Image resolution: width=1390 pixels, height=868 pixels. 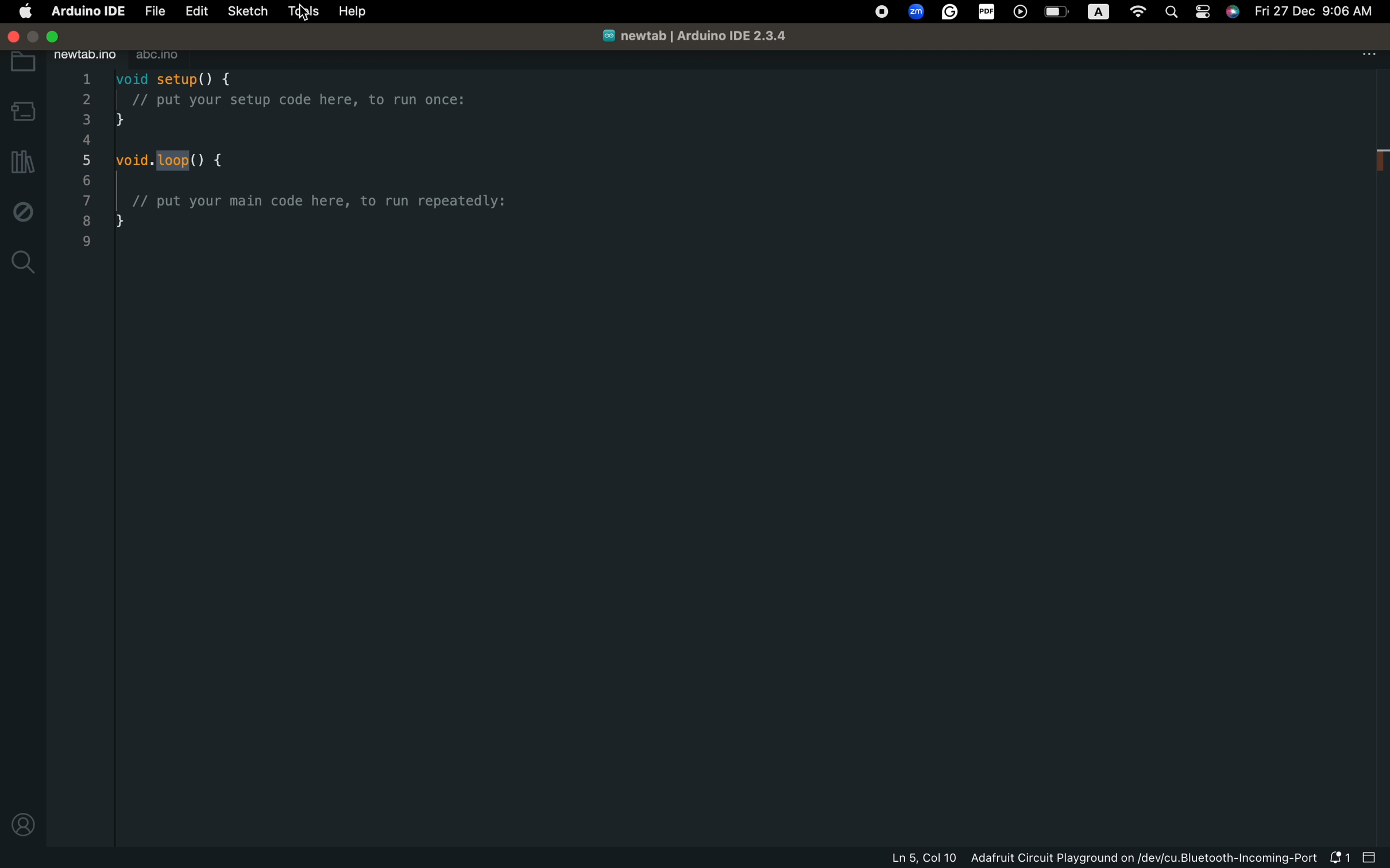 What do you see at coordinates (1146, 858) in the screenshot?
I see `Adafruit Circuit Playground on/dev/cu.Bluetooth-Incoming-Port` at bounding box center [1146, 858].